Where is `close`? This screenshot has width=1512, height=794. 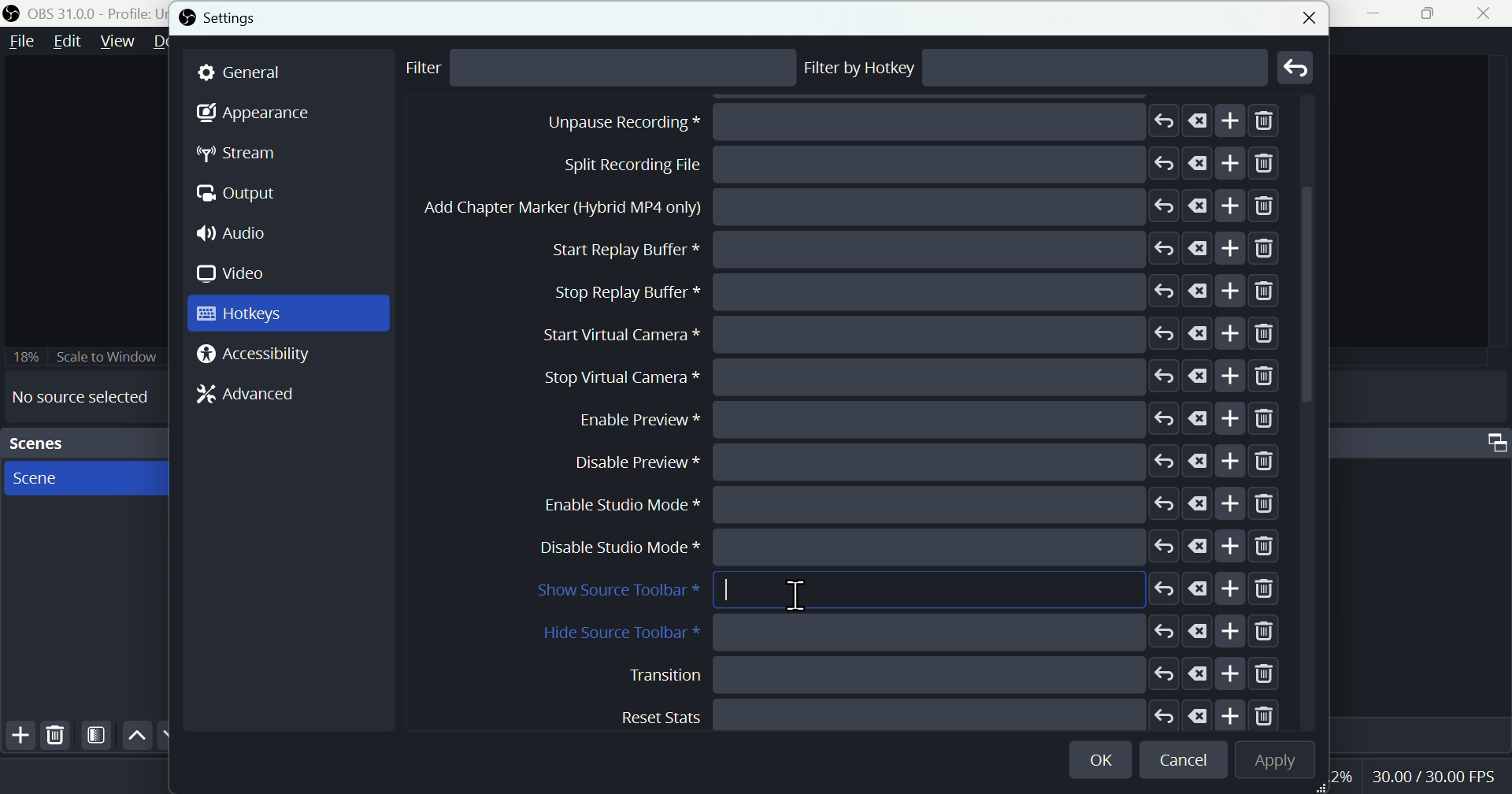
close is located at coordinates (1306, 15).